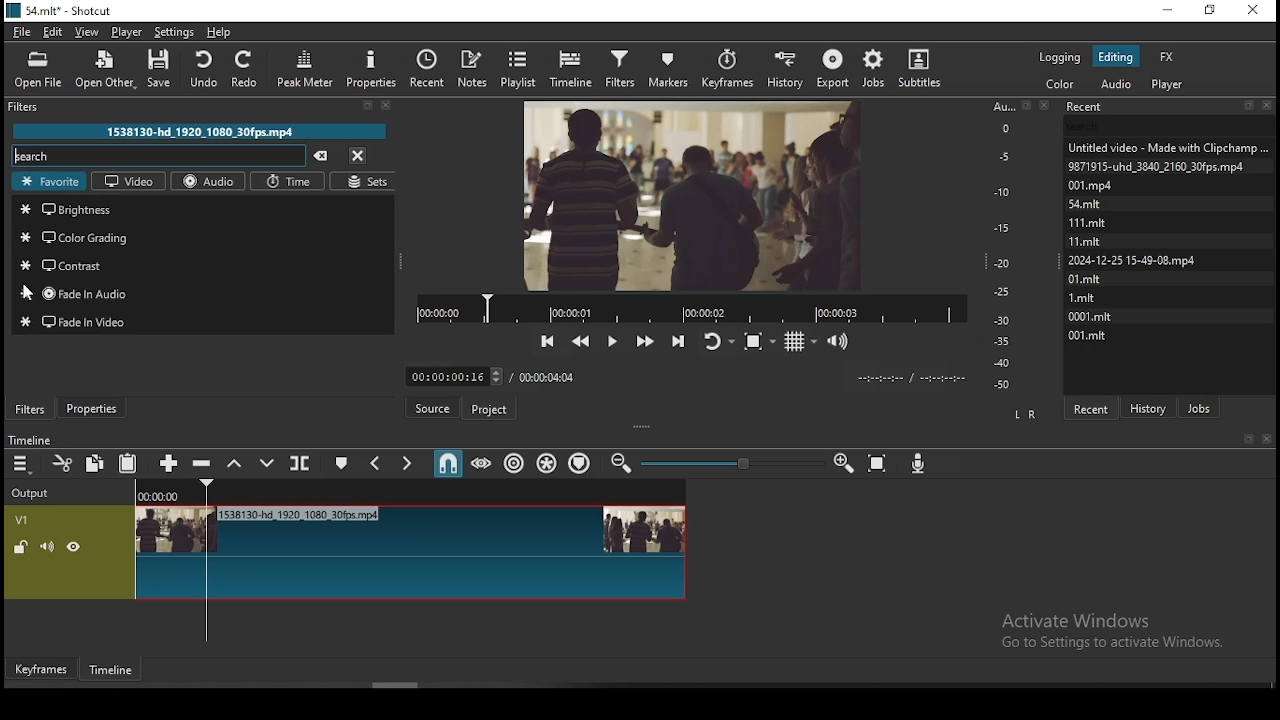 The width and height of the screenshot is (1280, 720). I want to click on open file, so click(41, 69).